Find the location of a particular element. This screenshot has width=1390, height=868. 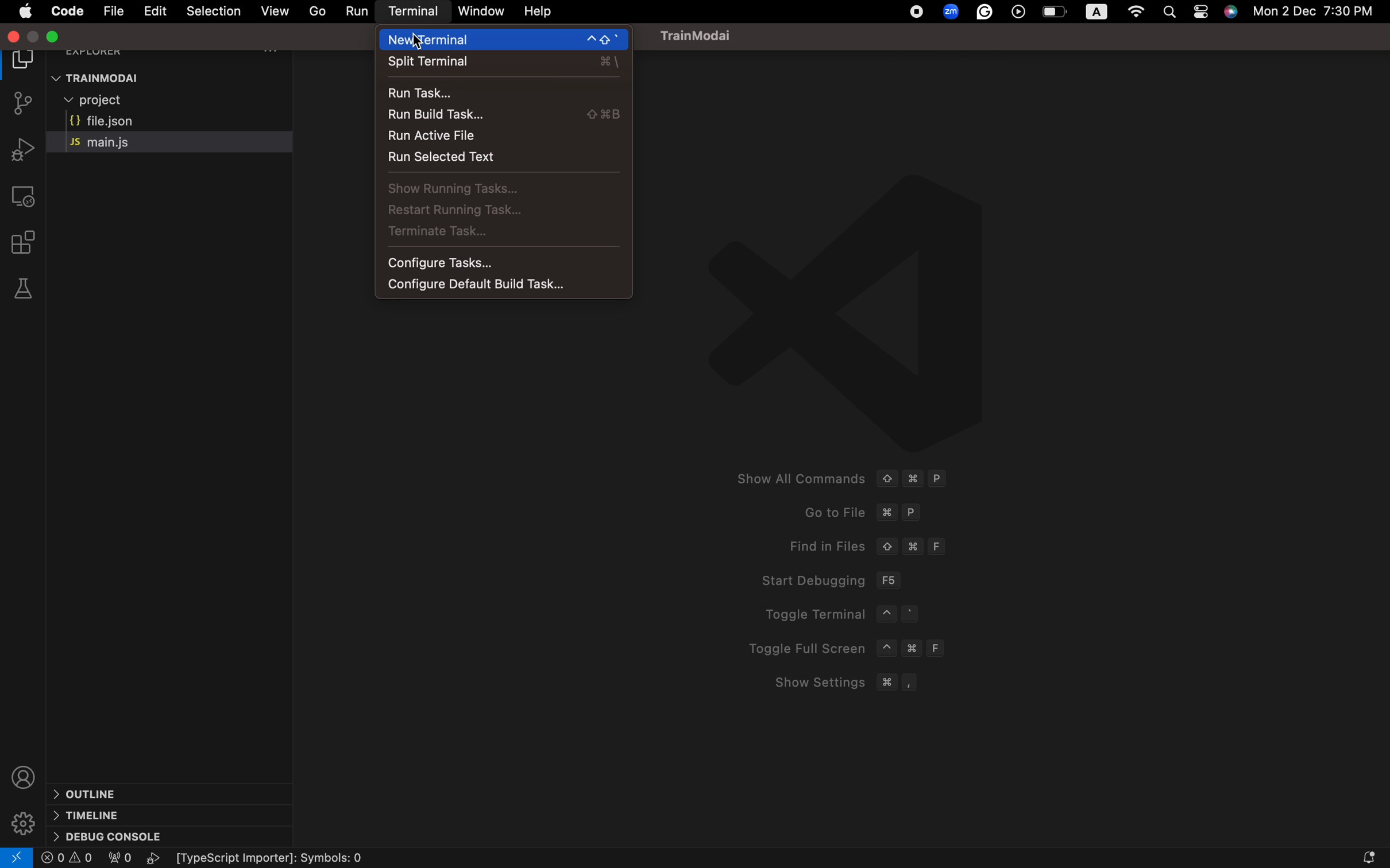

debugger is located at coordinates (20, 149).